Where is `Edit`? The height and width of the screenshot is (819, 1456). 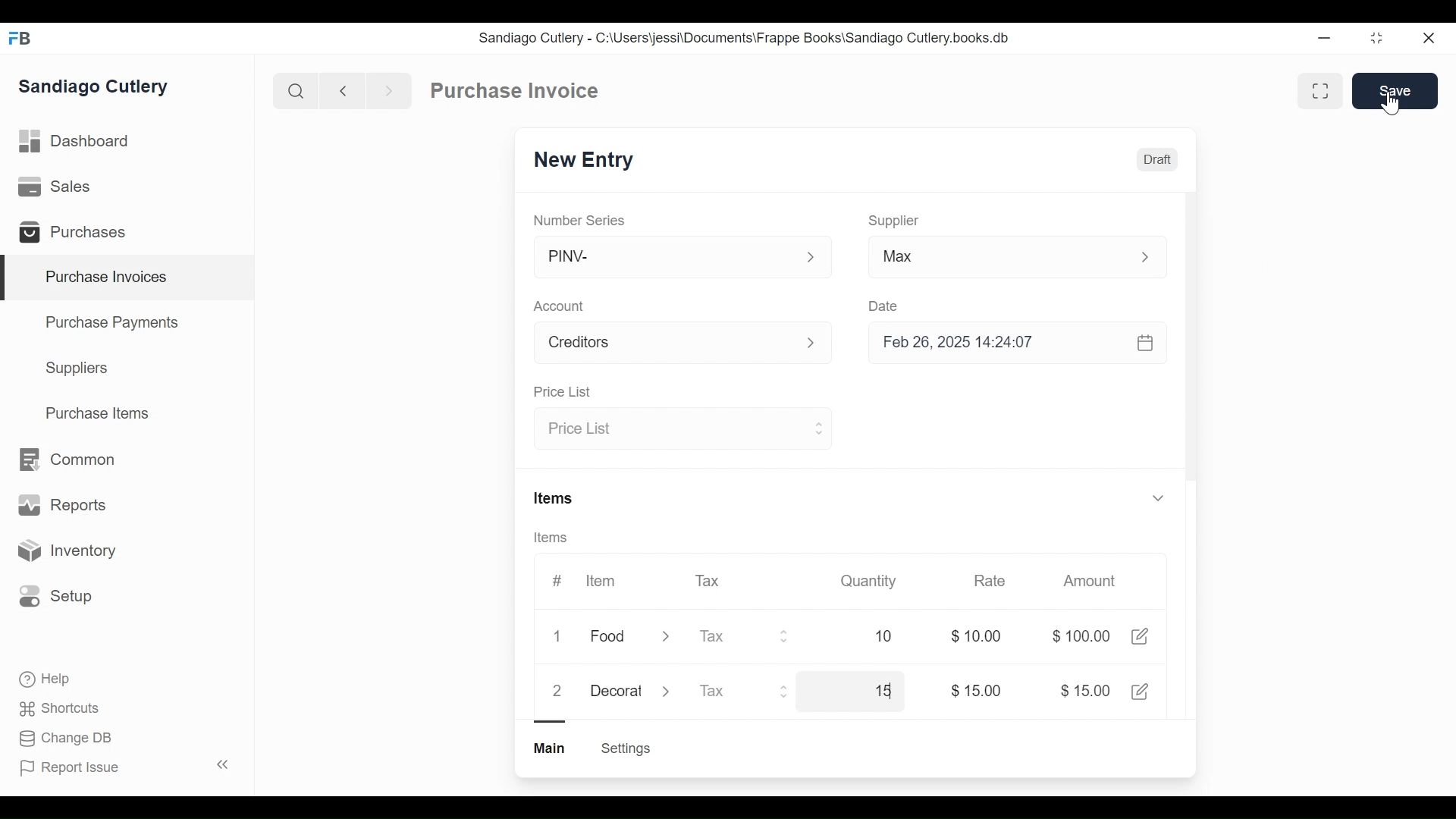
Edit is located at coordinates (1142, 691).